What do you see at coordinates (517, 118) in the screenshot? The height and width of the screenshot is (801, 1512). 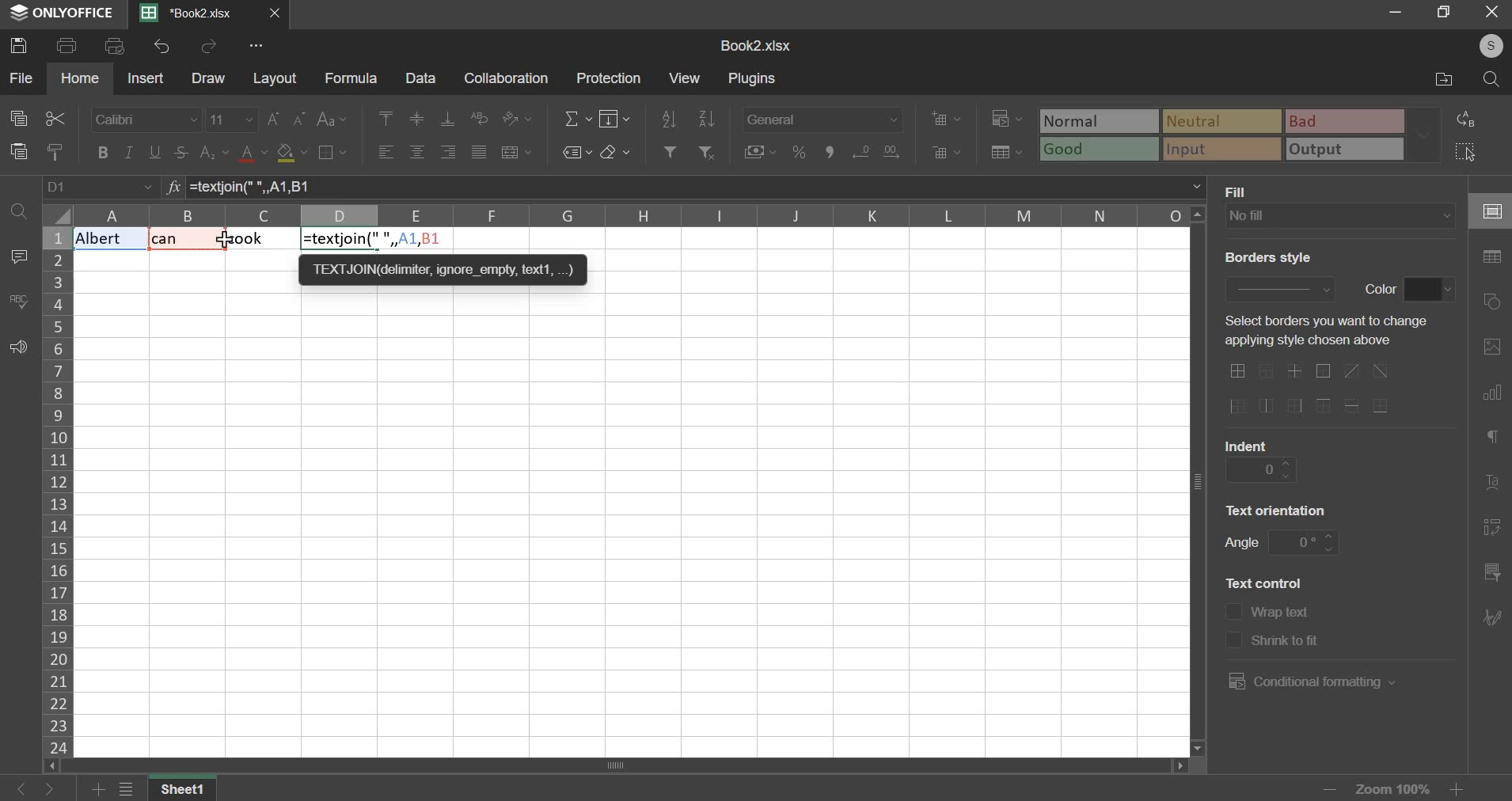 I see `orientation` at bounding box center [517, 118].